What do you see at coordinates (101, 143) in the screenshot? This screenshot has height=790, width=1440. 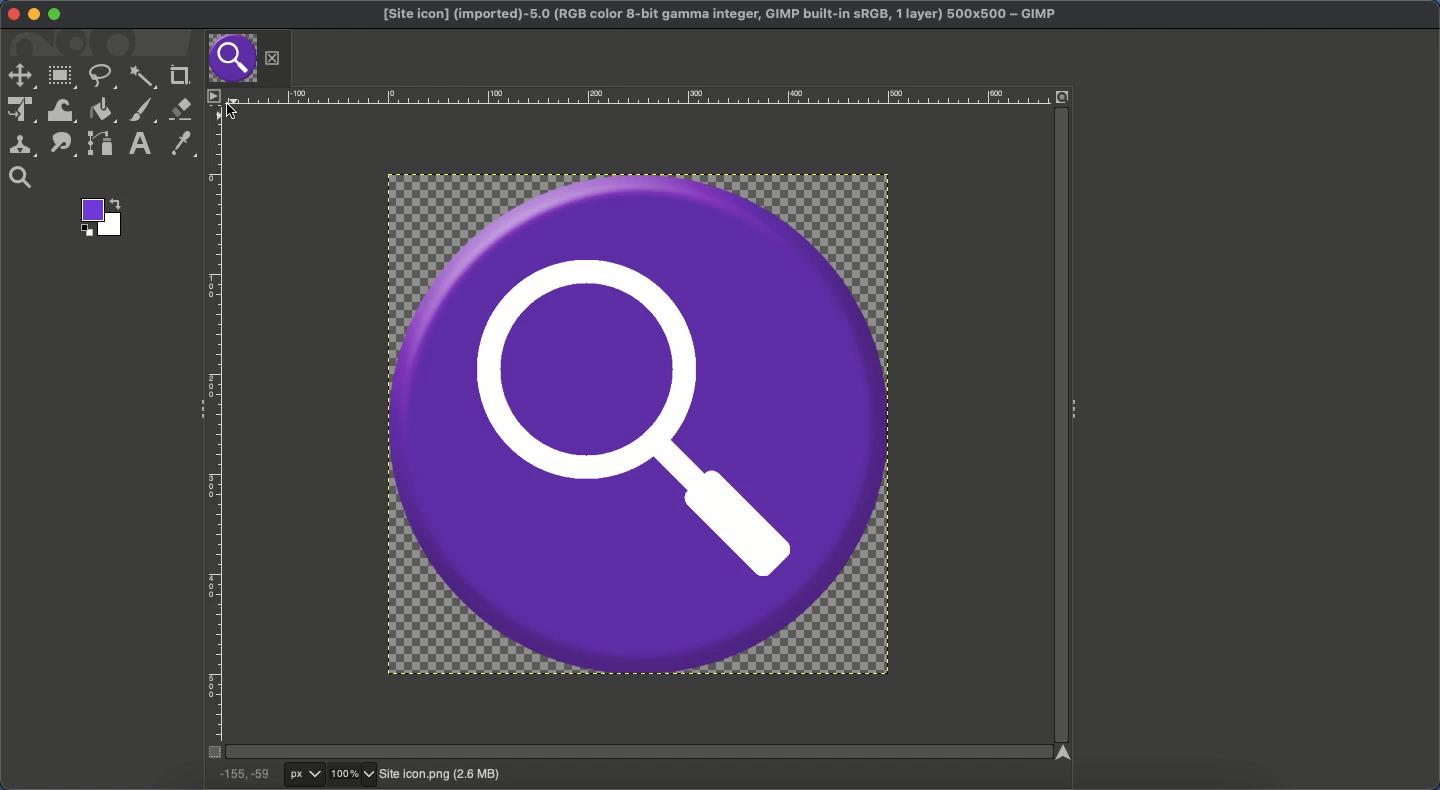 I see `Path` at bounding box center [101, 143].